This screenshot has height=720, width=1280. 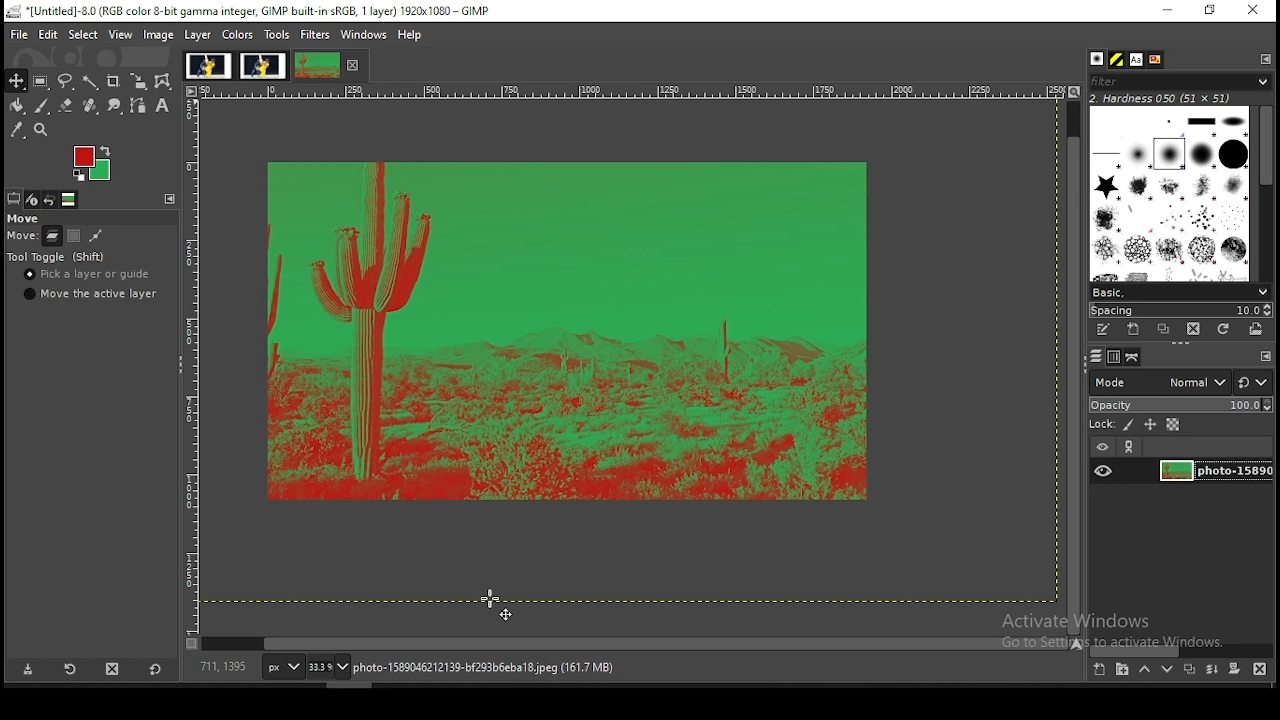 What do you see at coordinates (57, 257) in the screenshot?
I see `tool toggle` at bounding box center [57, 257].